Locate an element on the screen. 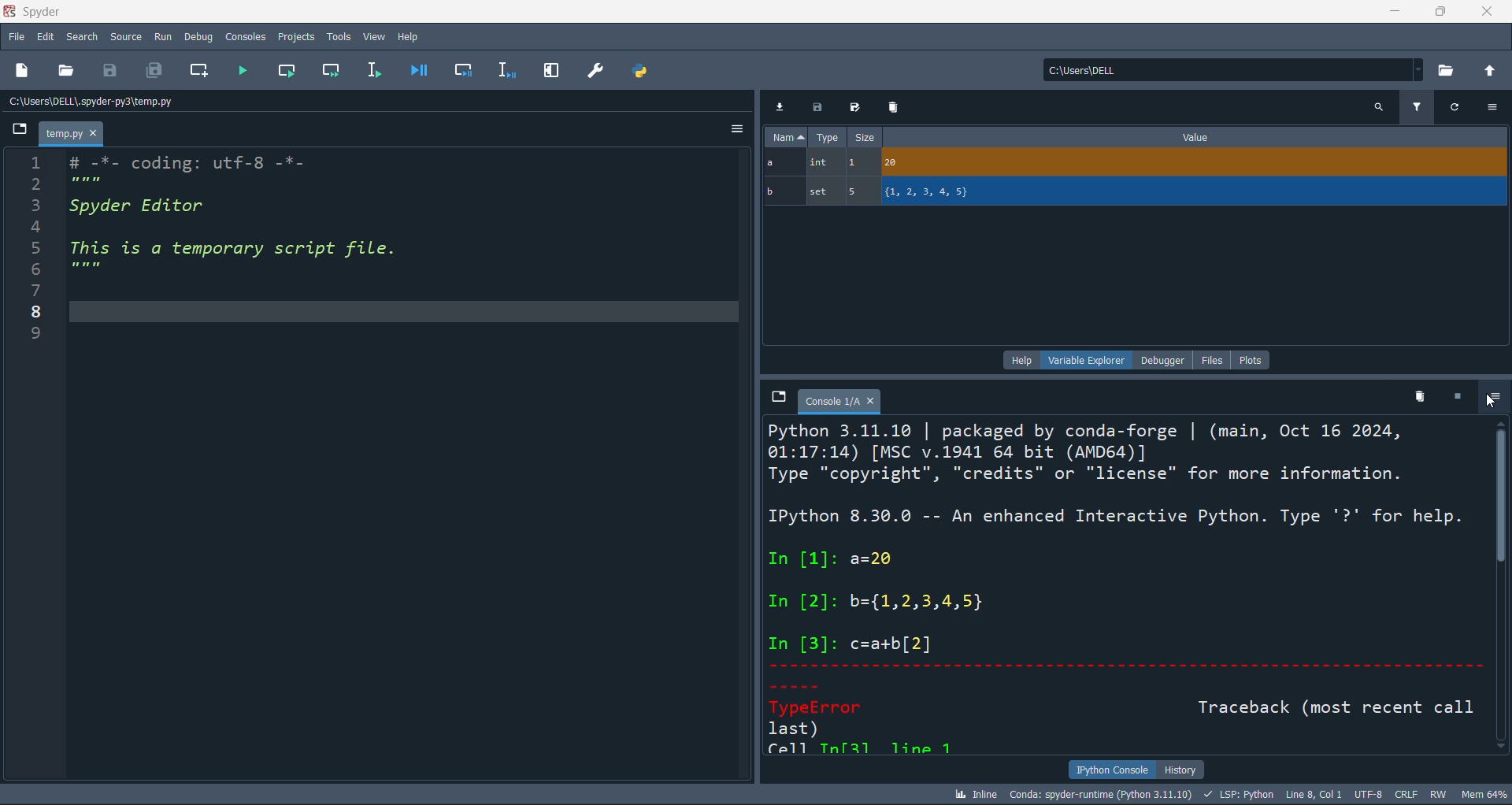 The height and width of the screenshot is (805, 1512). close kernel is located at coordinates (1453, 397).